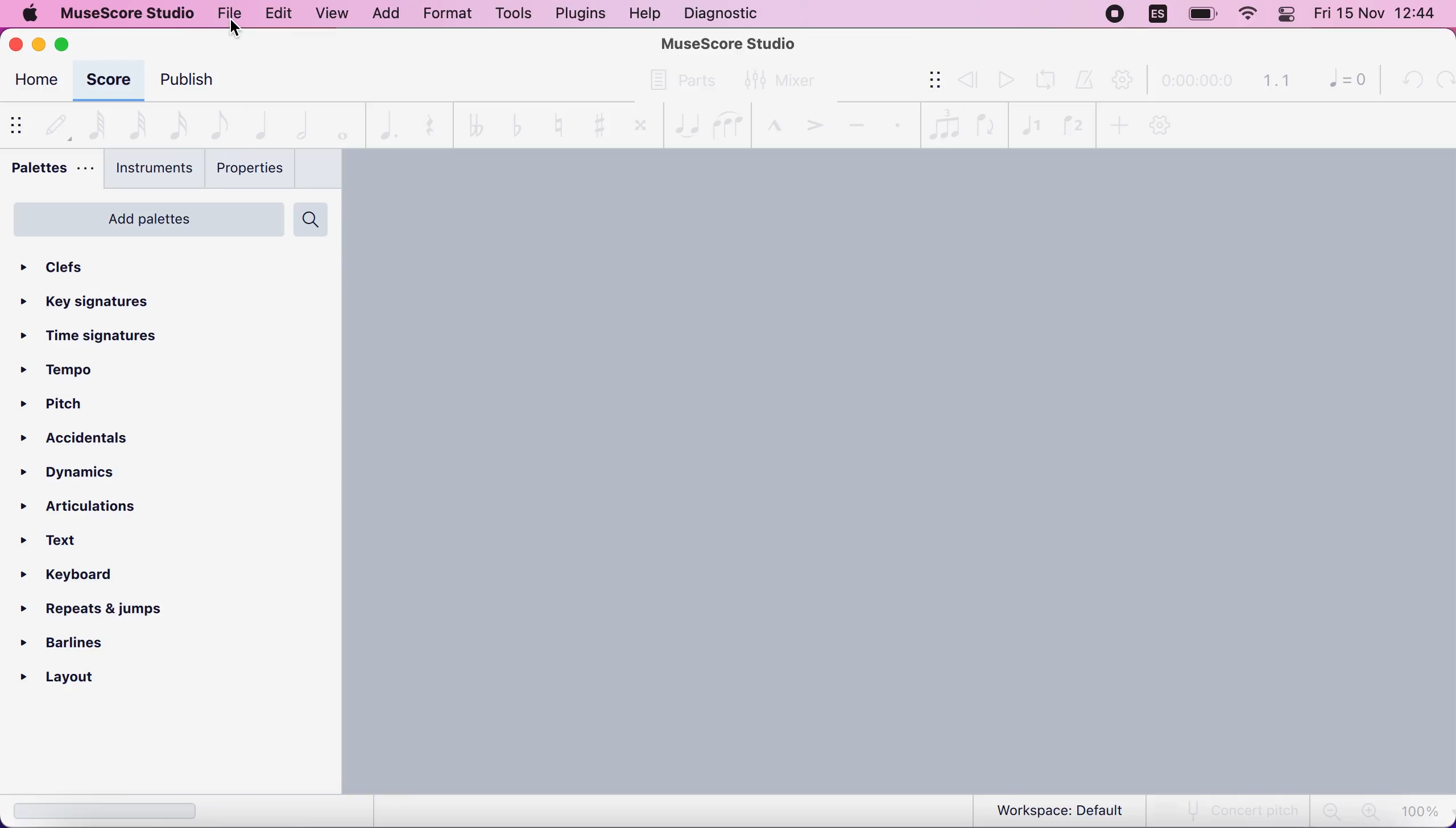 Image resolution: width=1456 pixels, height=828 pixels. Describe the element at coordinates (302, 123) in the screenshot. I see `half note` at that location.